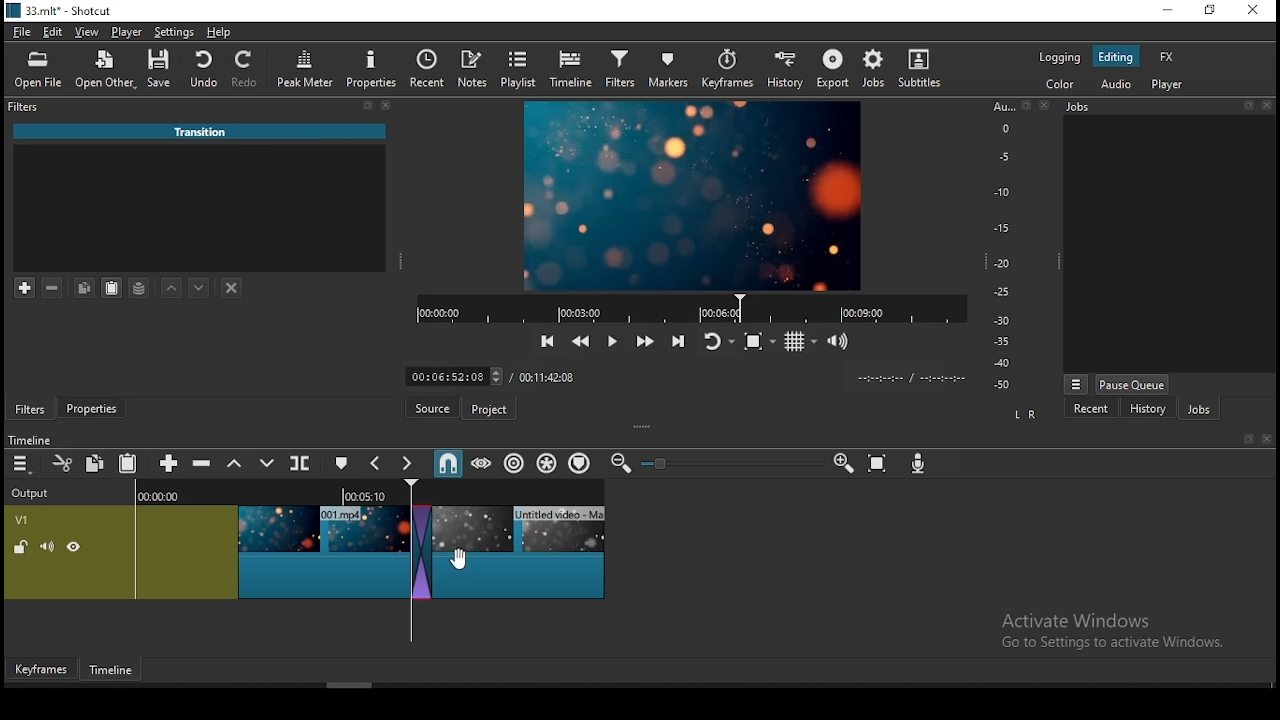 The height and width of the screenshot is (720, 1280). Describe the element at coordinates (735, 466) in the screenshot. I see `zoom in or zoom out slider` at that location.